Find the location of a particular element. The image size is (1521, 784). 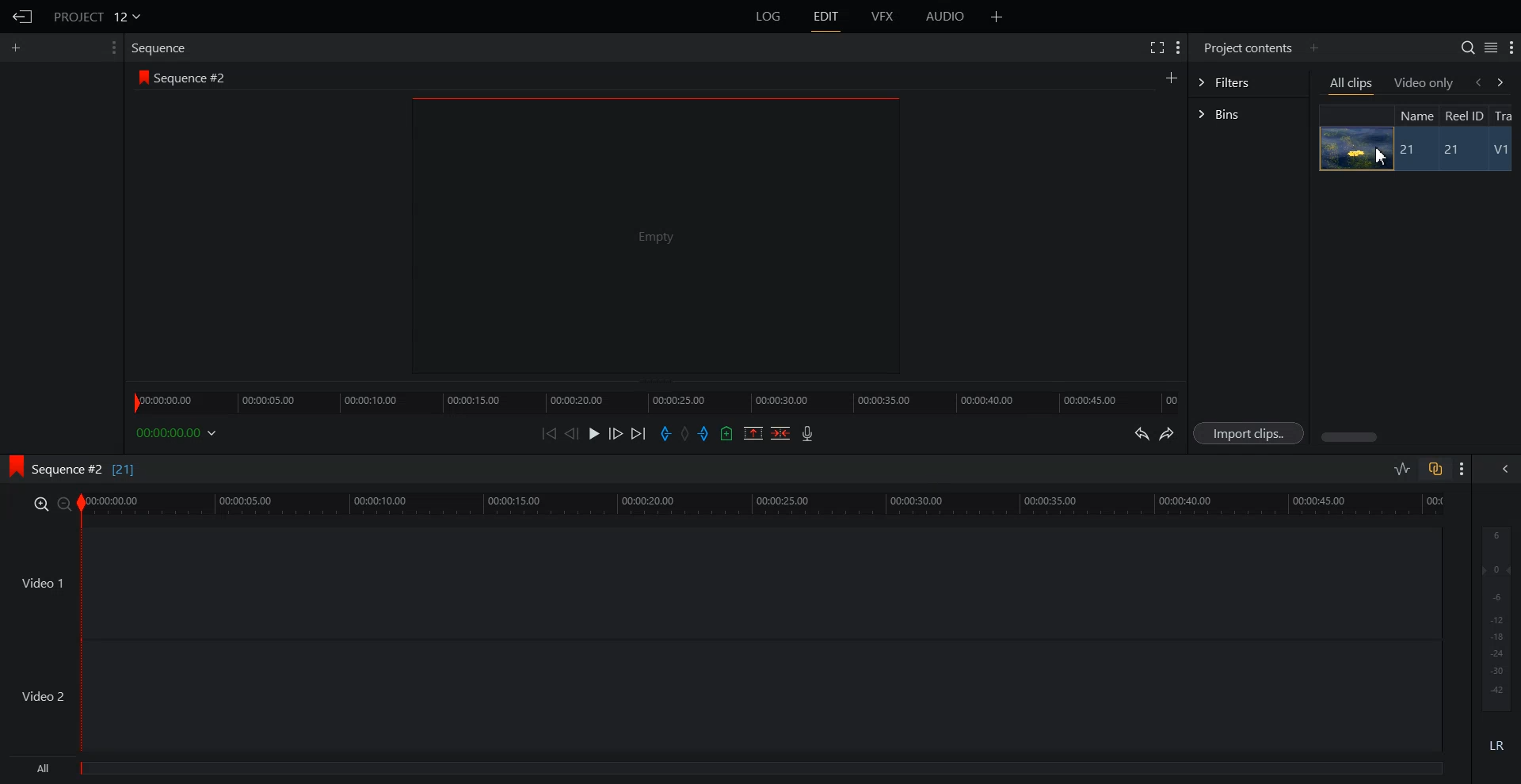

Play is located at coordinates (596, 433).